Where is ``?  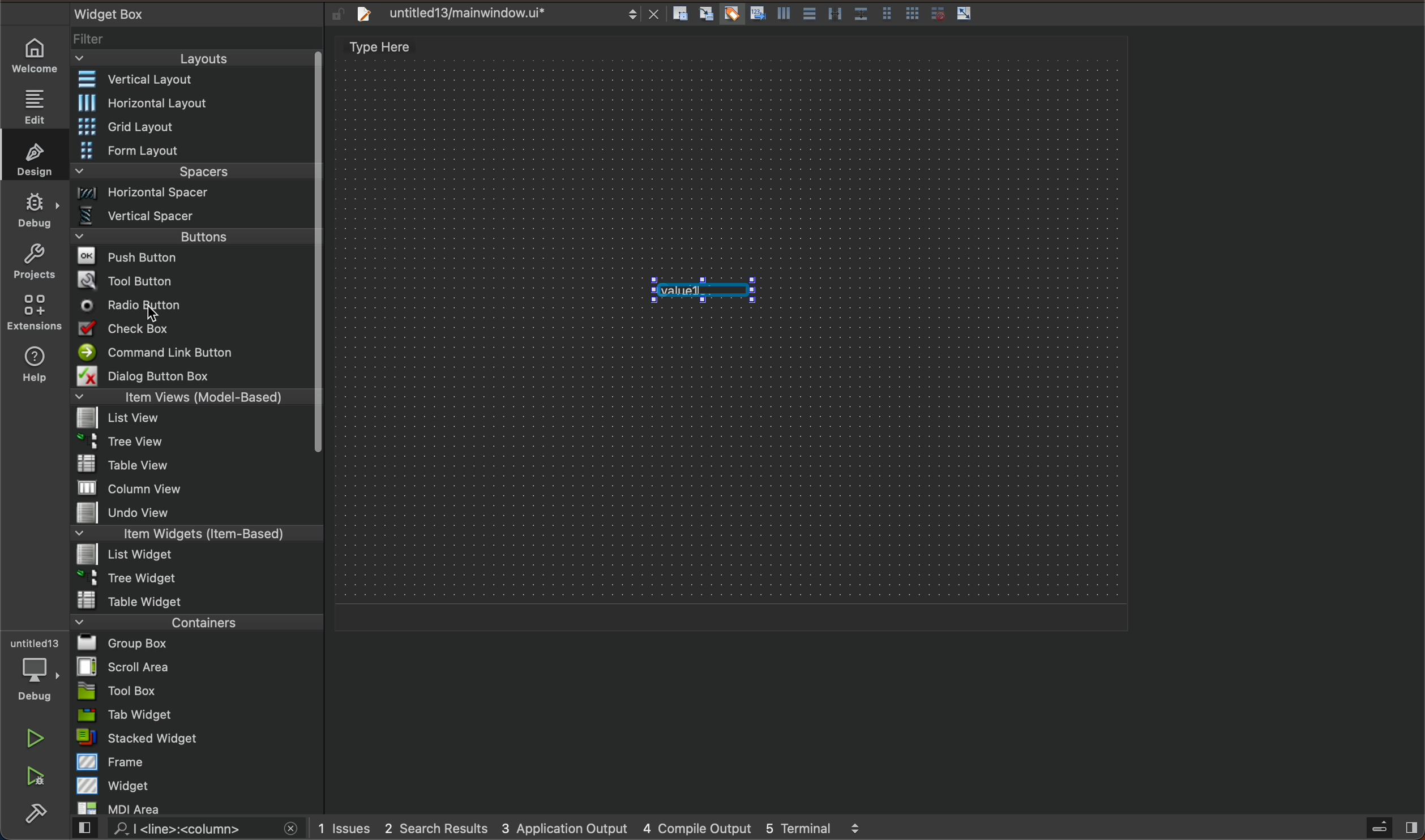
 is located at coordinates (808, 15).